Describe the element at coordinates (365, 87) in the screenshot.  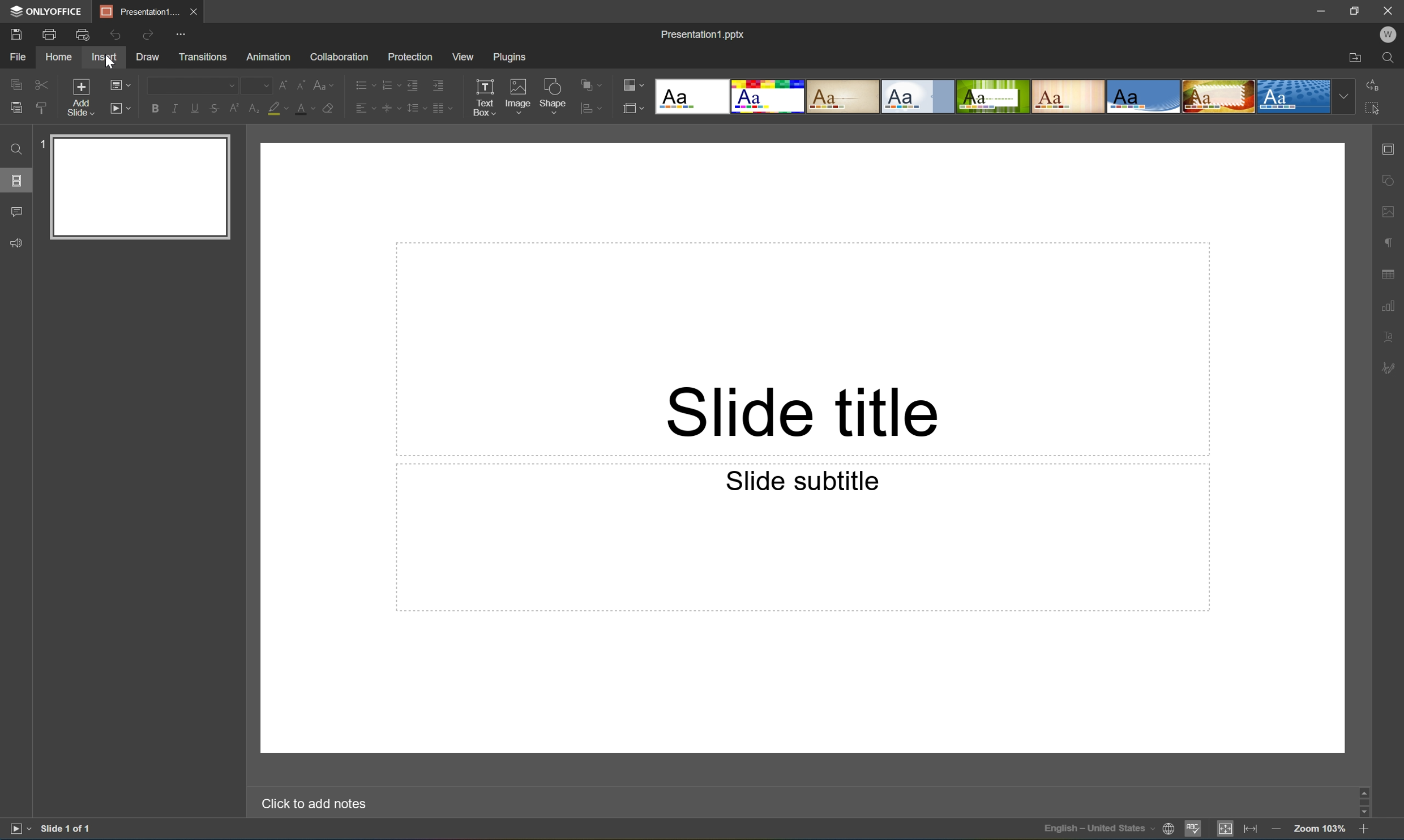
I see `Bullets` at that location.